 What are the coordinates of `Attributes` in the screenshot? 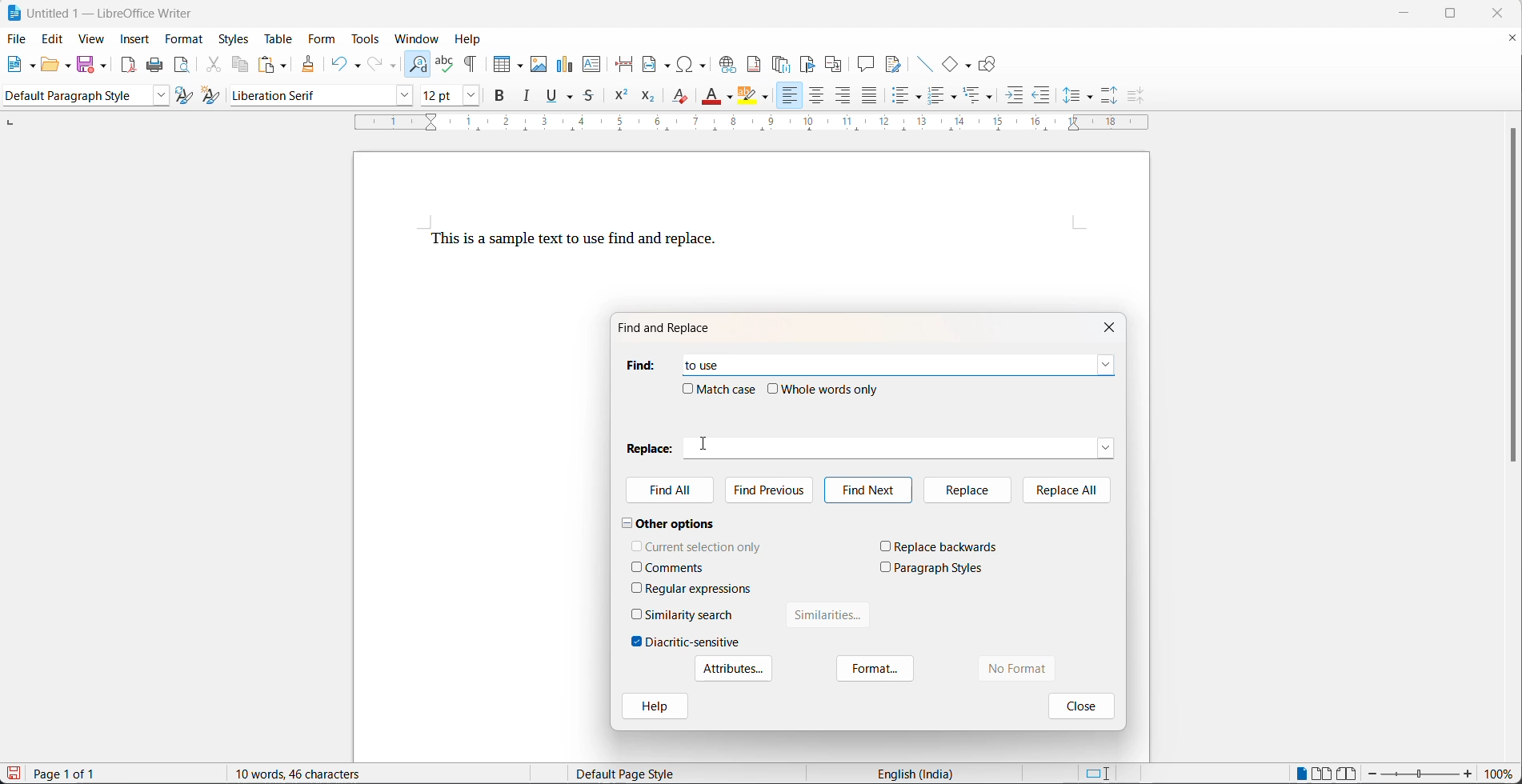 It's located at (731, 669).